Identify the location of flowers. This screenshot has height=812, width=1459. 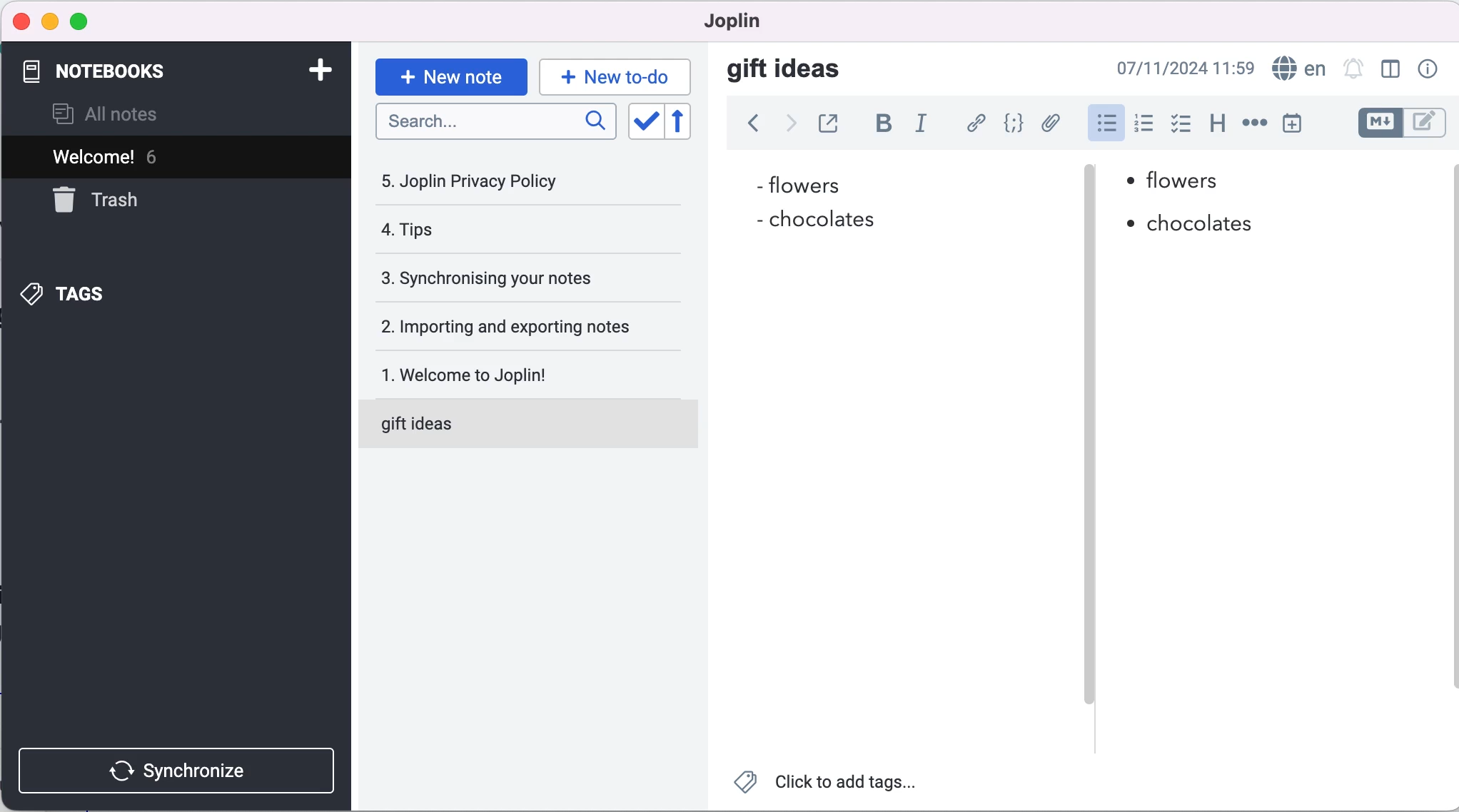
(1189, 185).